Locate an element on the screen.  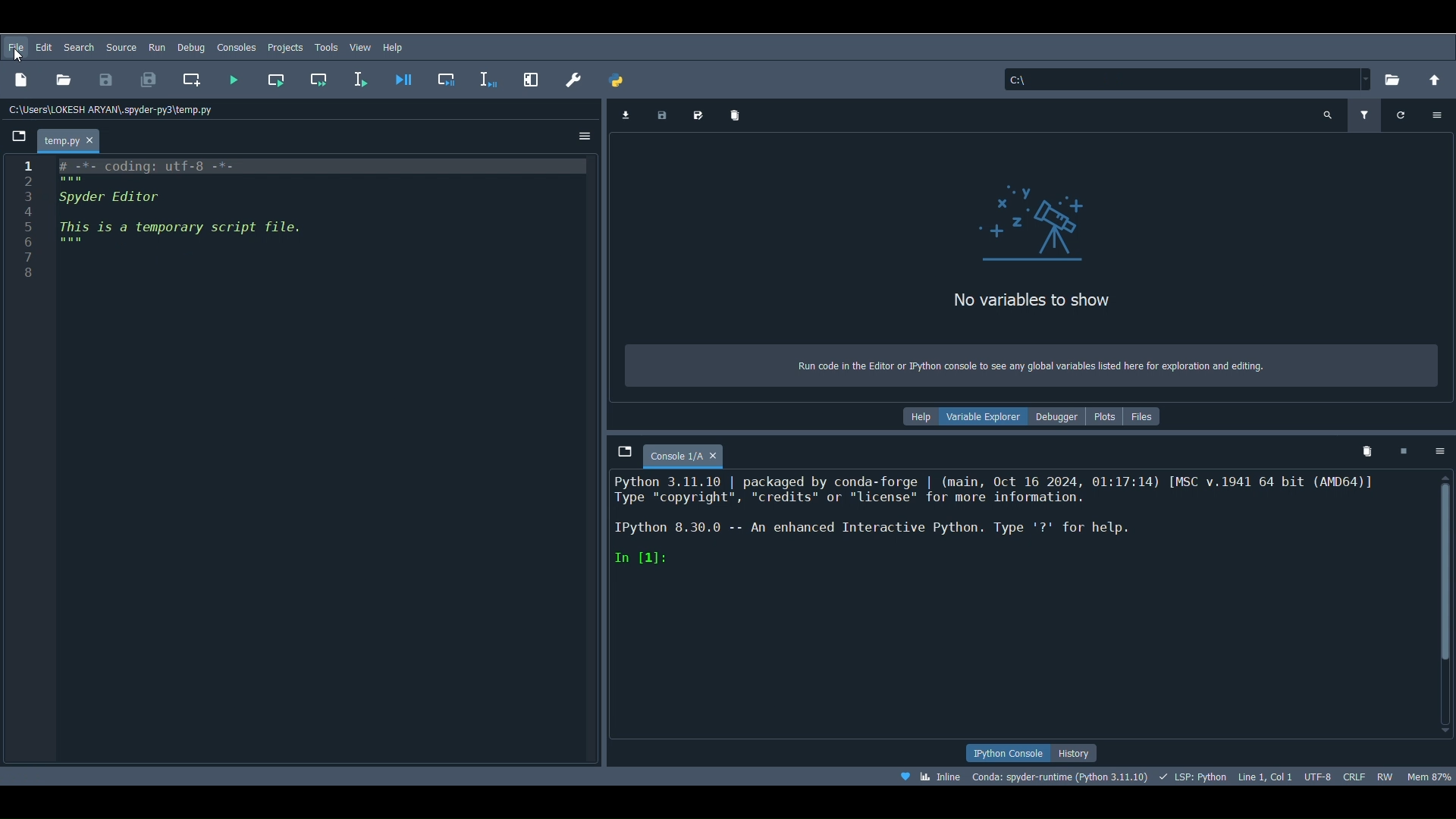
Scrollbar is located at coordinates (1448, 604).